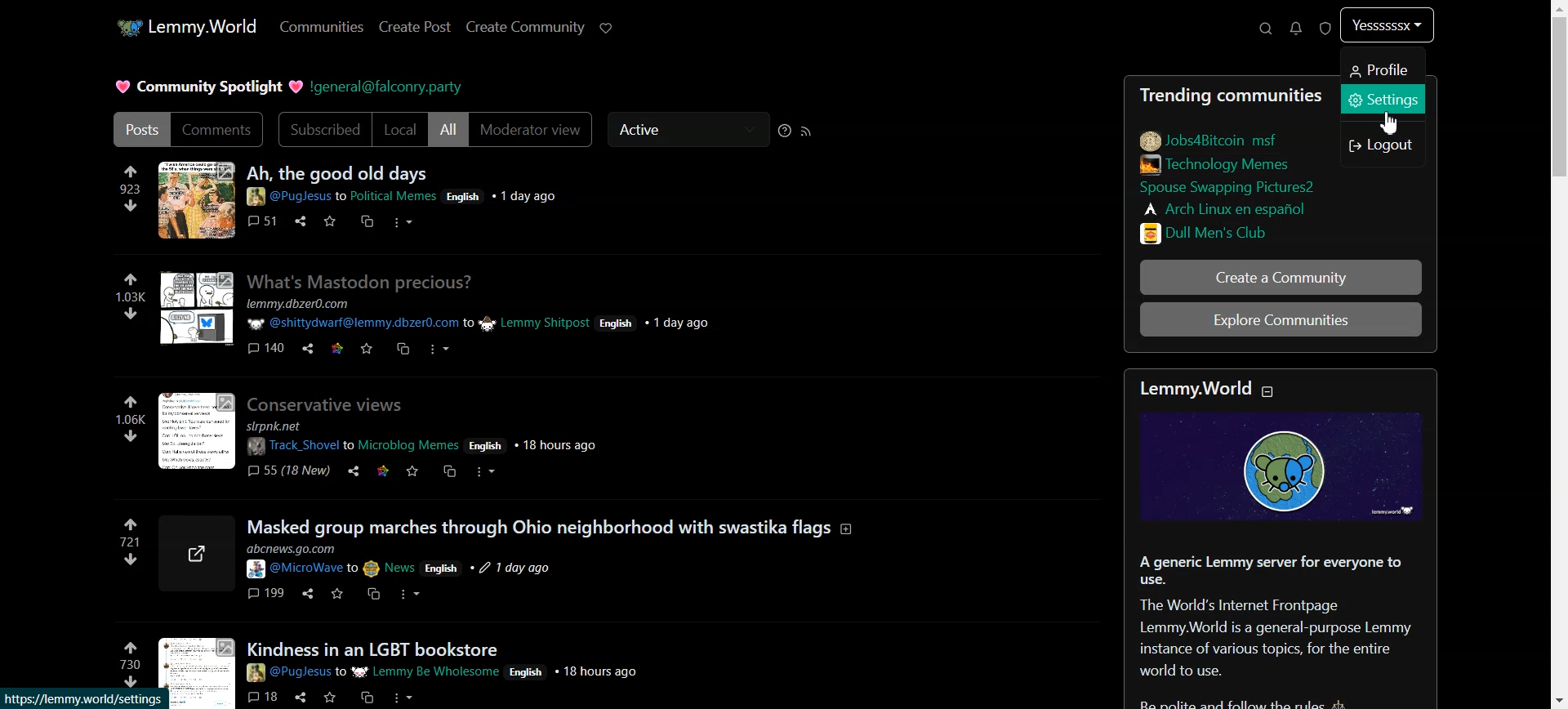 The width and height of the screenshot is (1568, 709). Describe the element at coordinates (525, 28) in the screenshot. I see `Create Community` at that location.